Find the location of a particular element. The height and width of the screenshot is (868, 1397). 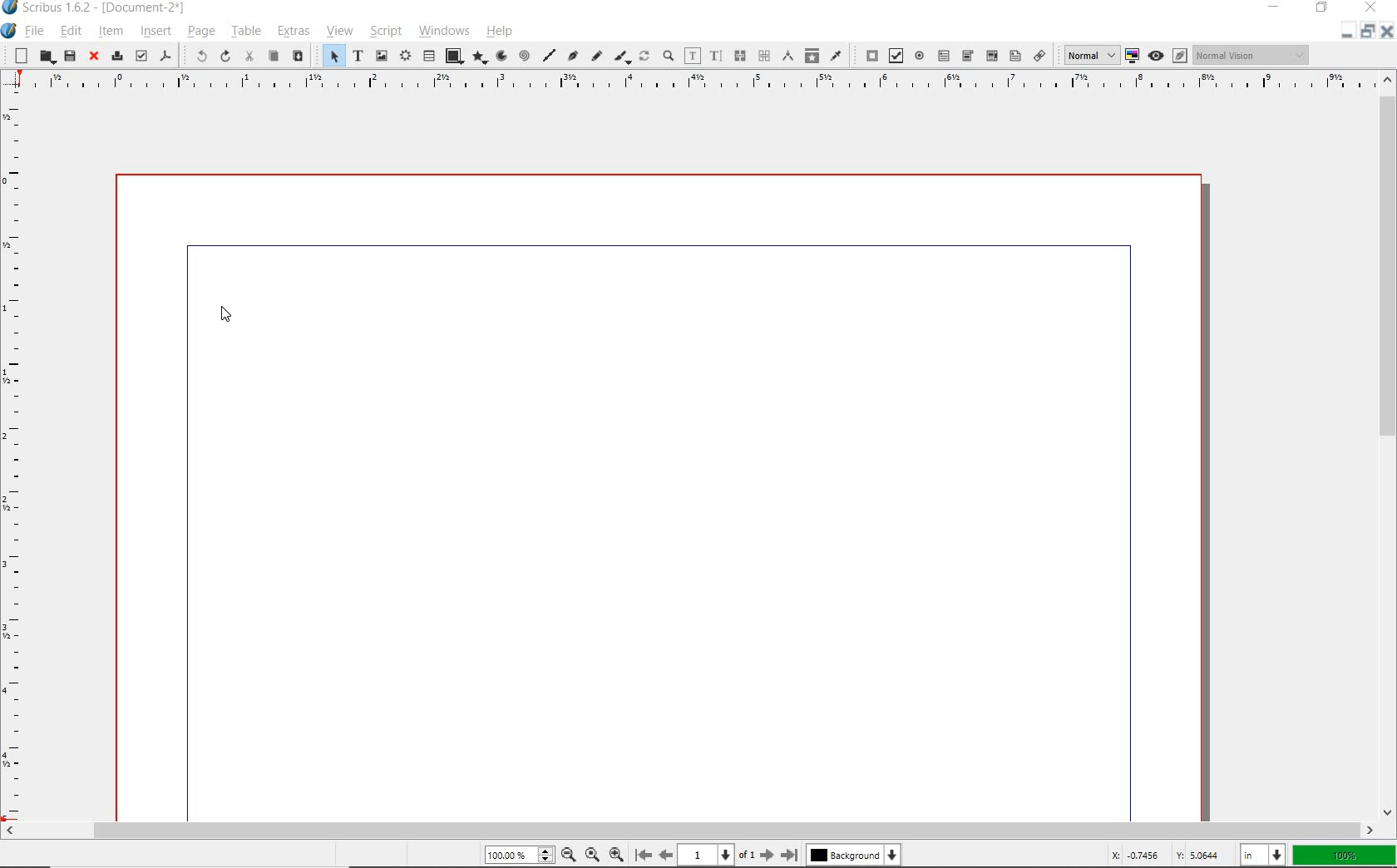

measurements is located at coordinates (786, 57).